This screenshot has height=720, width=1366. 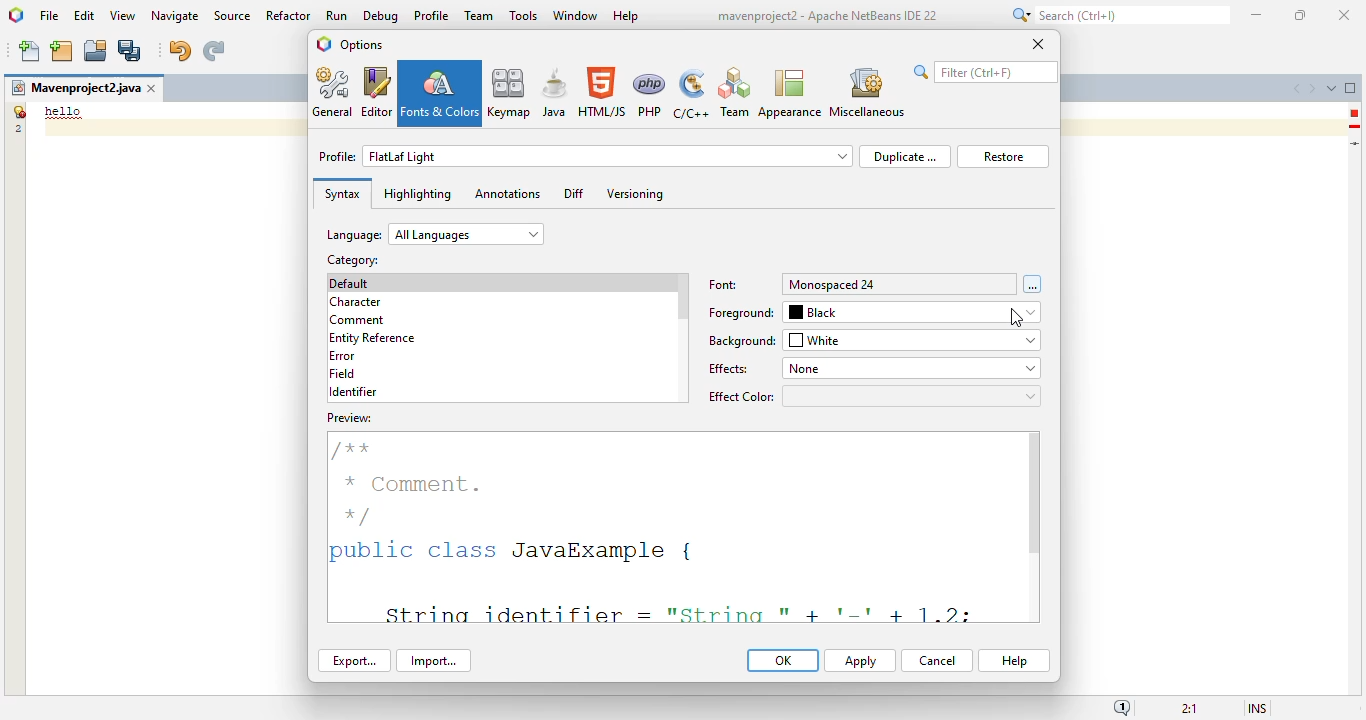 I want to click on logo, so click(x=324, y=44).